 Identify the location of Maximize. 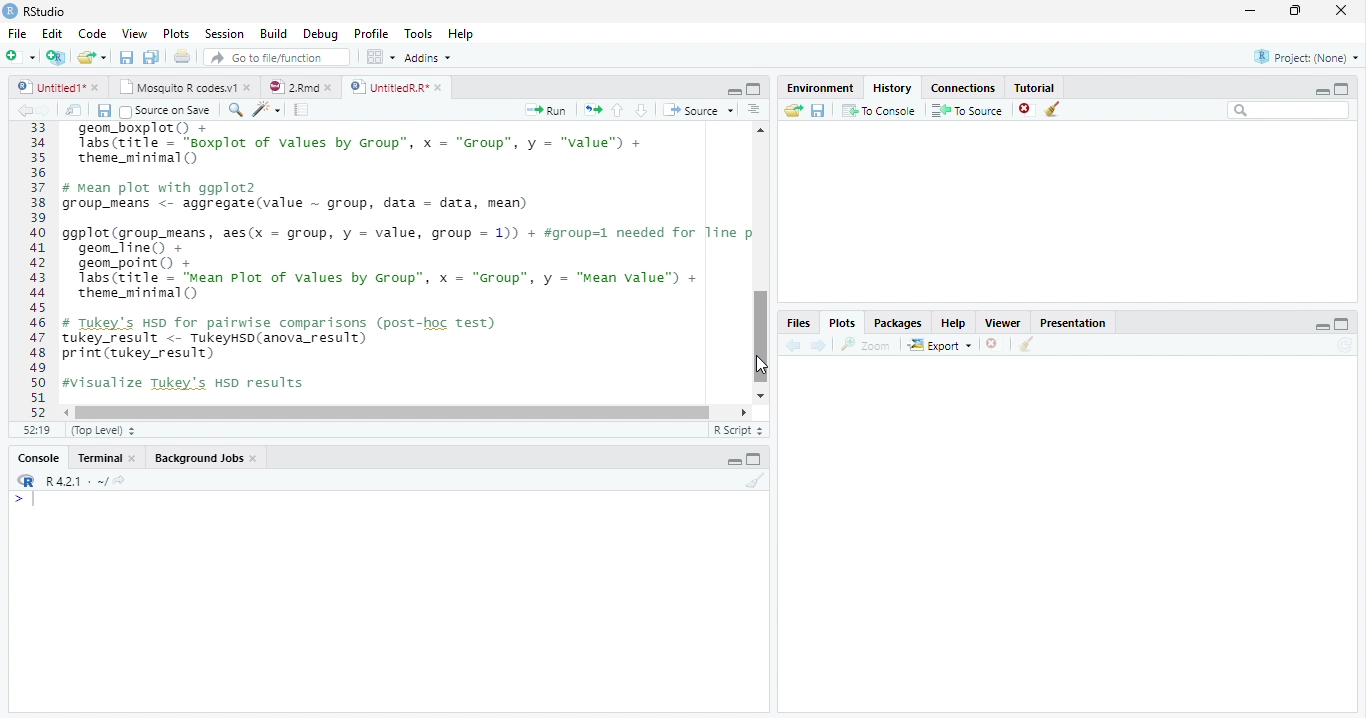
(1297, 11).